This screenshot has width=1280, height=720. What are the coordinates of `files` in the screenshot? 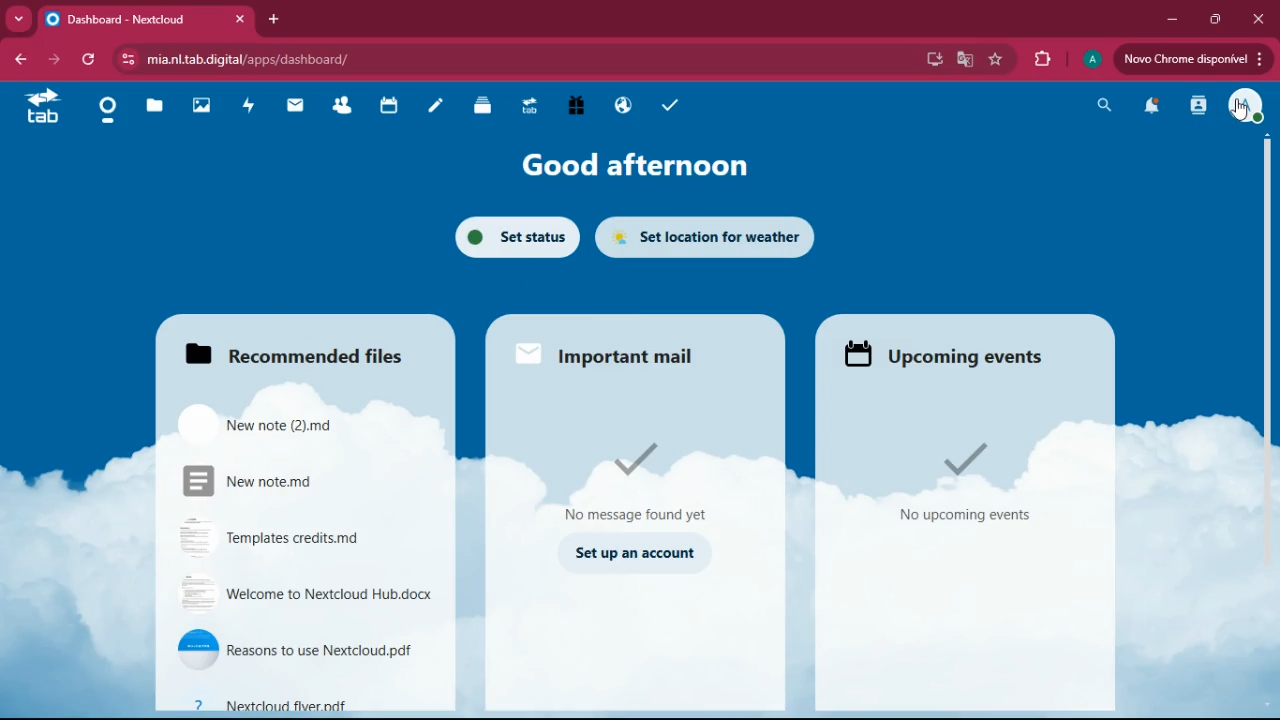 It's located at (154, 108).